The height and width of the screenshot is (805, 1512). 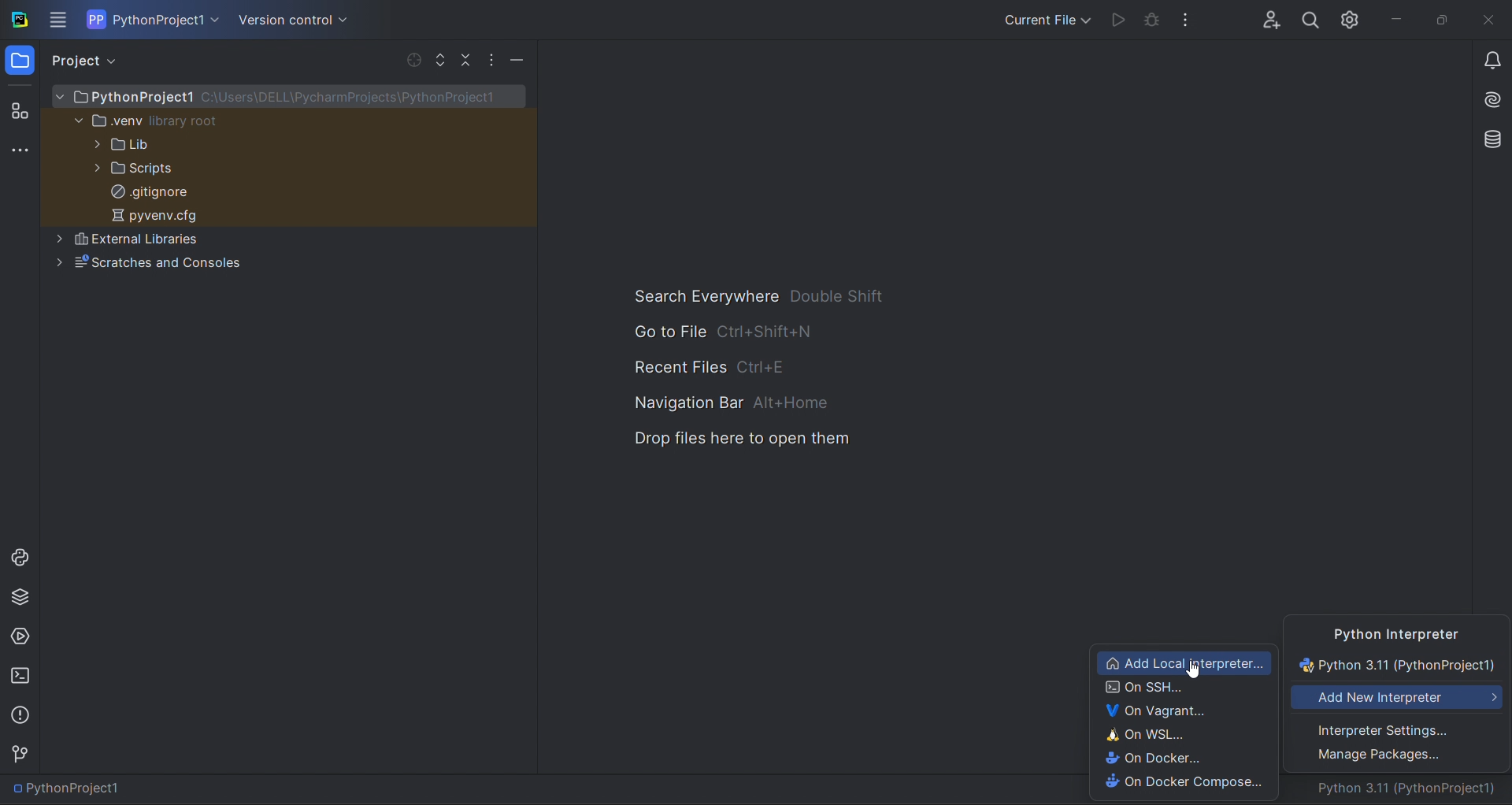 What do you see at coordinates (19, 109) in the screenshot?
I see `structure` at bounding box center [19, 109].